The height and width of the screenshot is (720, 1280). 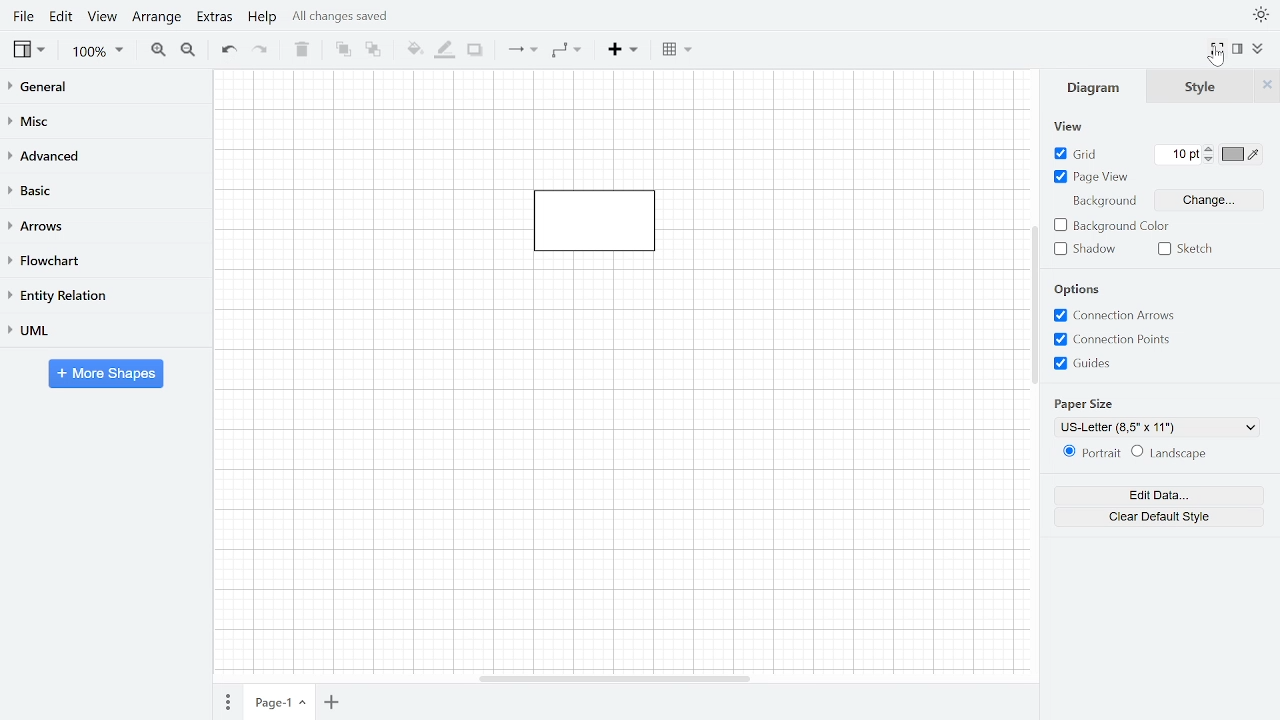 I want to click on Fullscreen, so click(x=1219, y=47).